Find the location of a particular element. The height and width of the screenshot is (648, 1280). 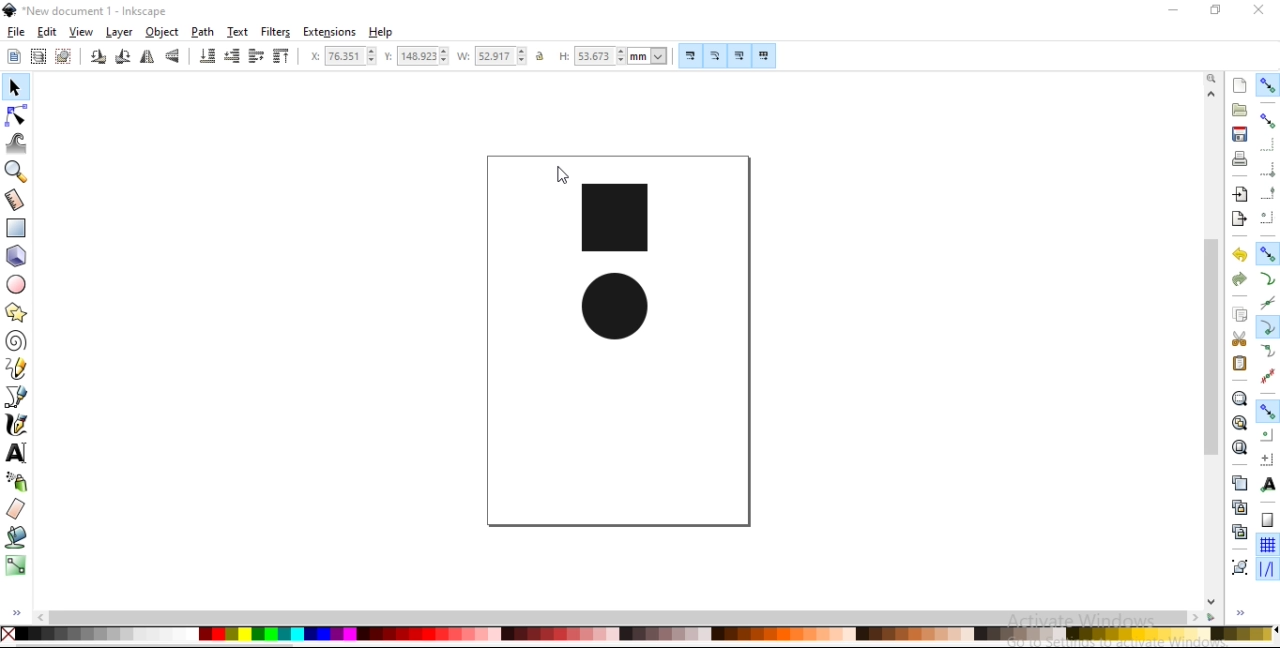

scale radii of rounded corners is located at coordinates (716, 57).